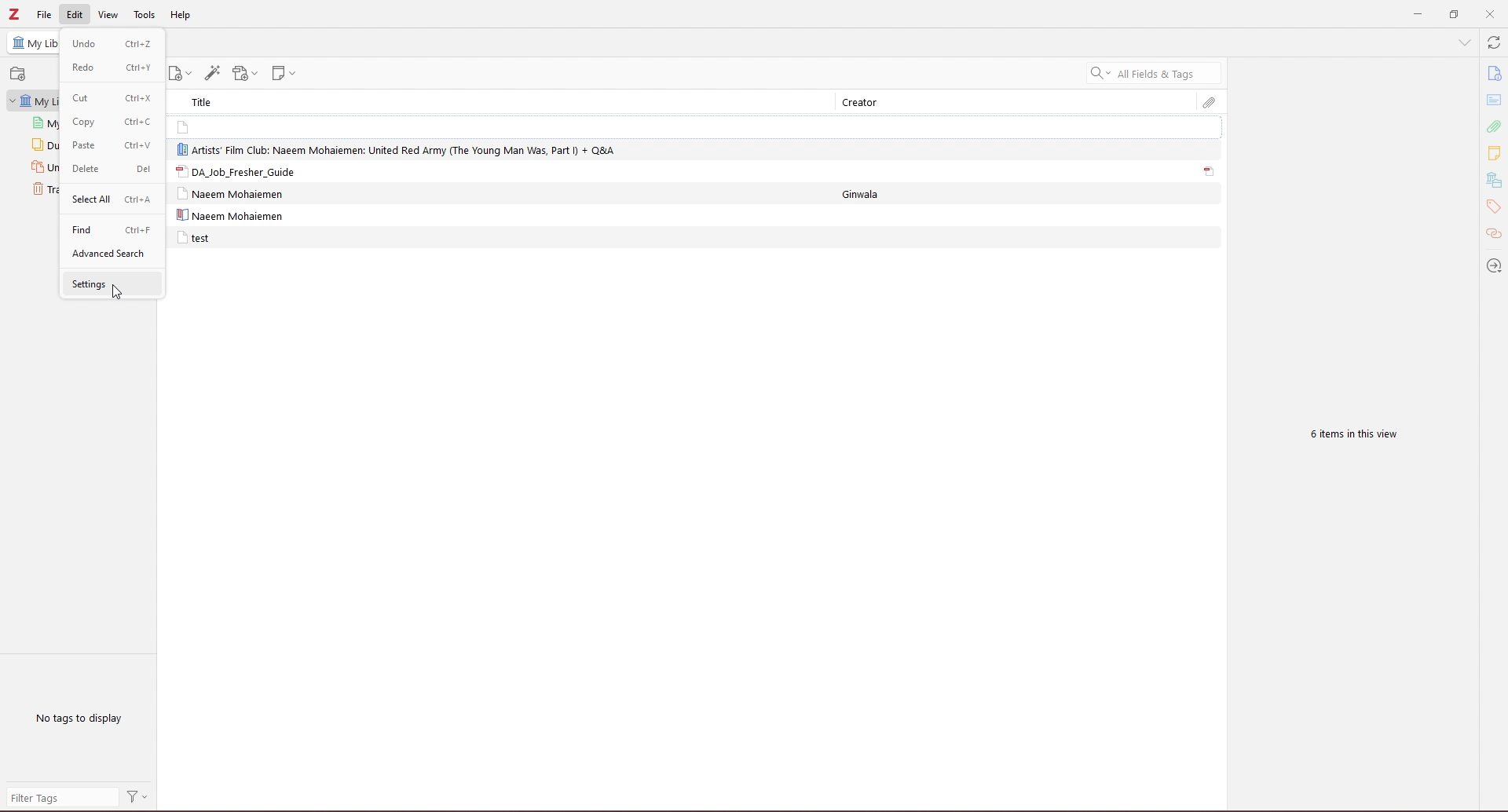  Describe the element at coordinates (287, 73) in the screenshot. I see `new note` at that location.